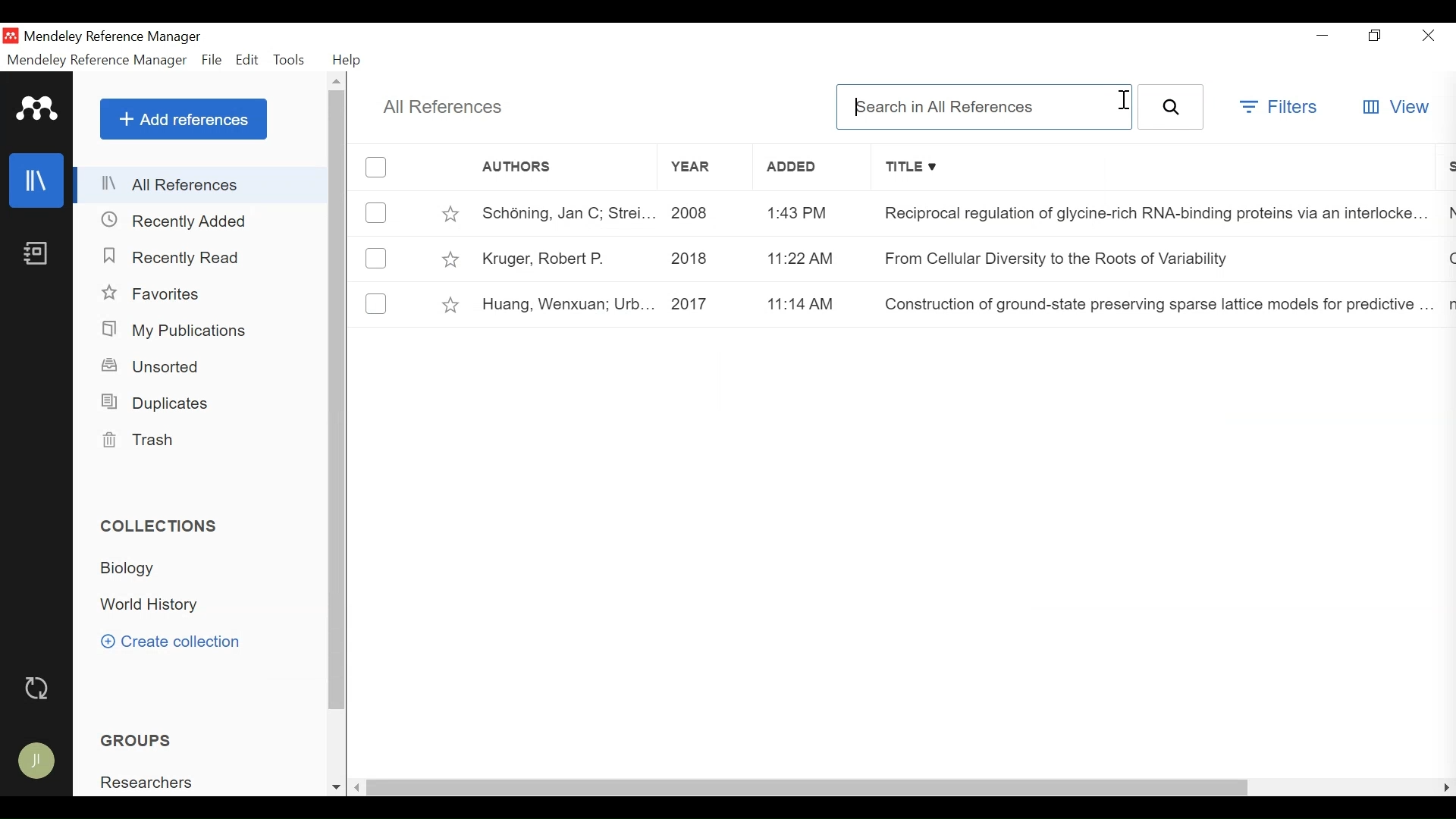 The image size is (1456, 819). I want to click on Search Bar, so click(984, 106).